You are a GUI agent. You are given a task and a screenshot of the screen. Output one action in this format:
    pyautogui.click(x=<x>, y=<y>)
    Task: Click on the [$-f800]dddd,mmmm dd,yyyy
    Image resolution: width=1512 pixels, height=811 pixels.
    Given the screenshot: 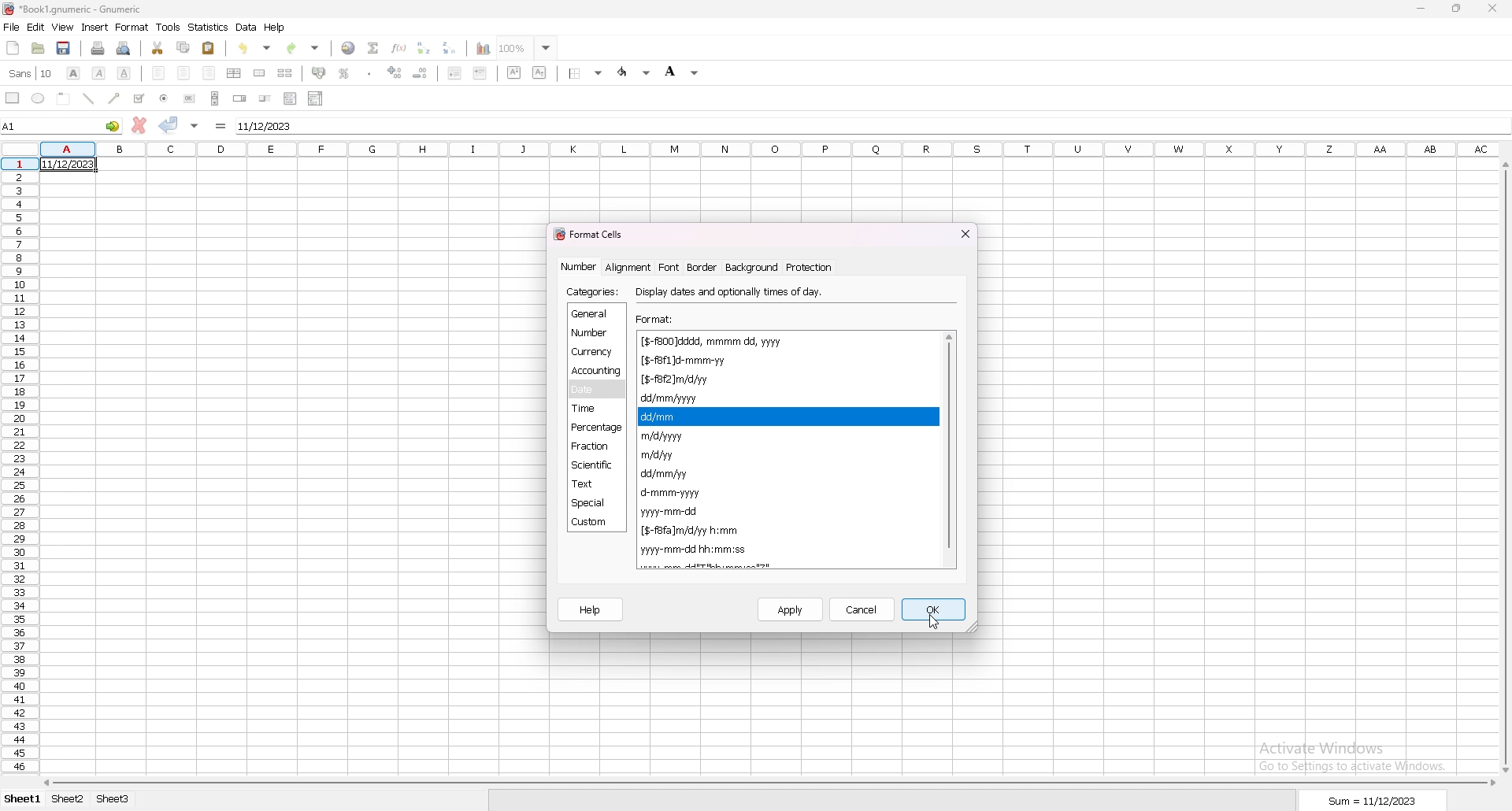 What is the action you would take?
    pyautogui.click(x=715, y=341)
    